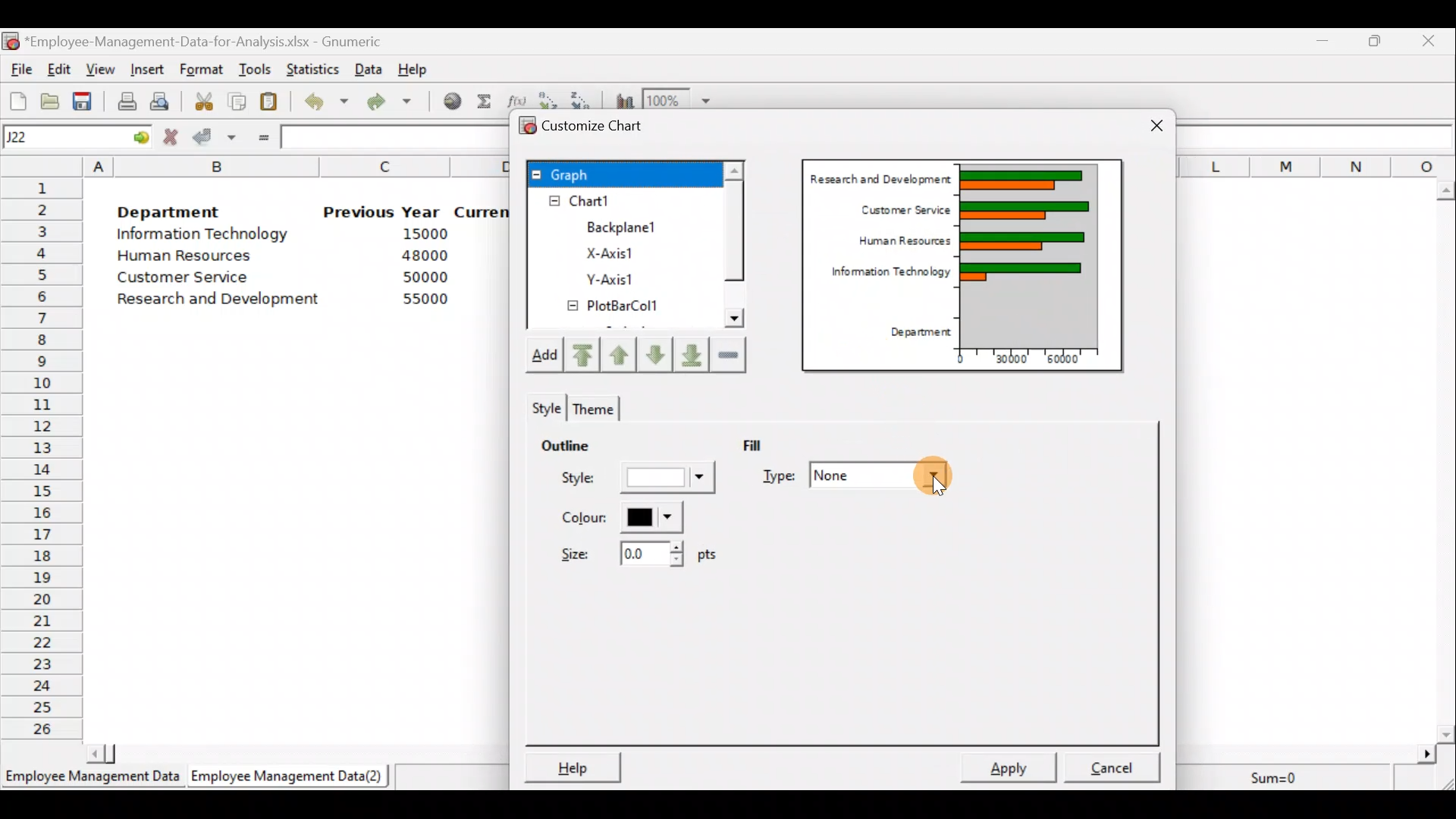 This screenshot has height=819, width=1456. I want to click on Open a file, so click(49, 99).